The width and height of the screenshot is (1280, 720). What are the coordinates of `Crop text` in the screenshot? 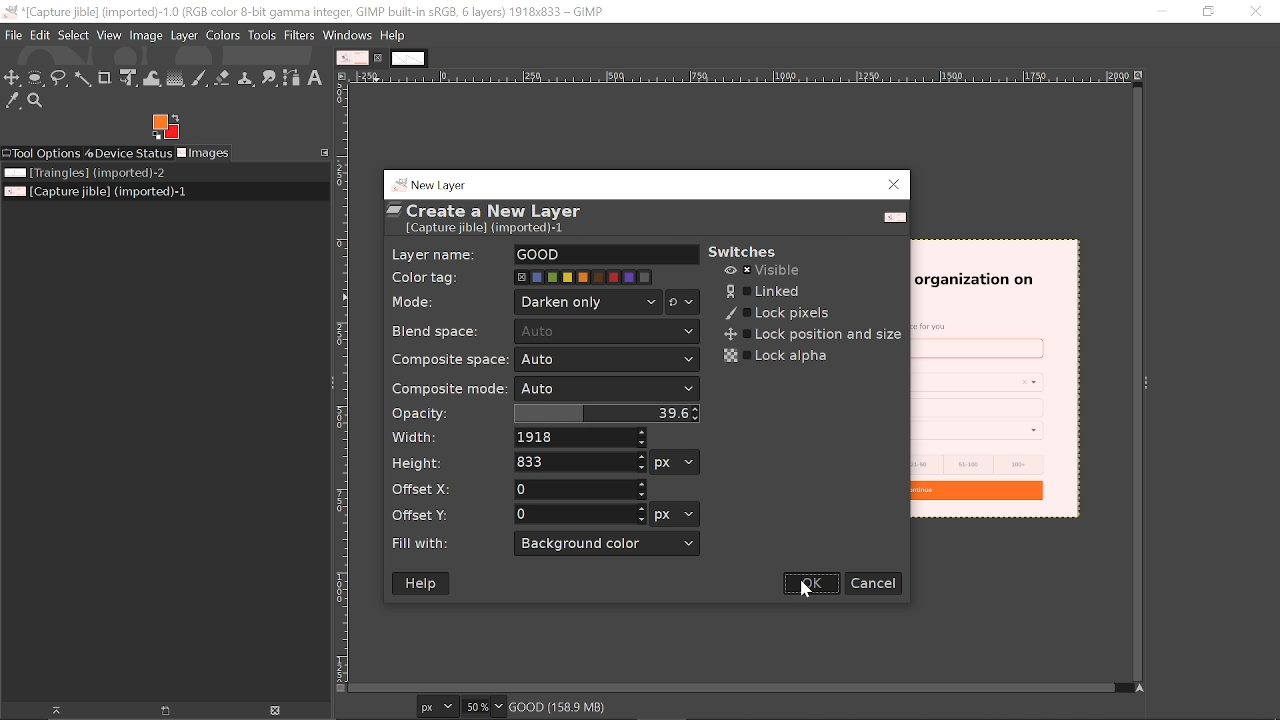 It's located at (105, 77).